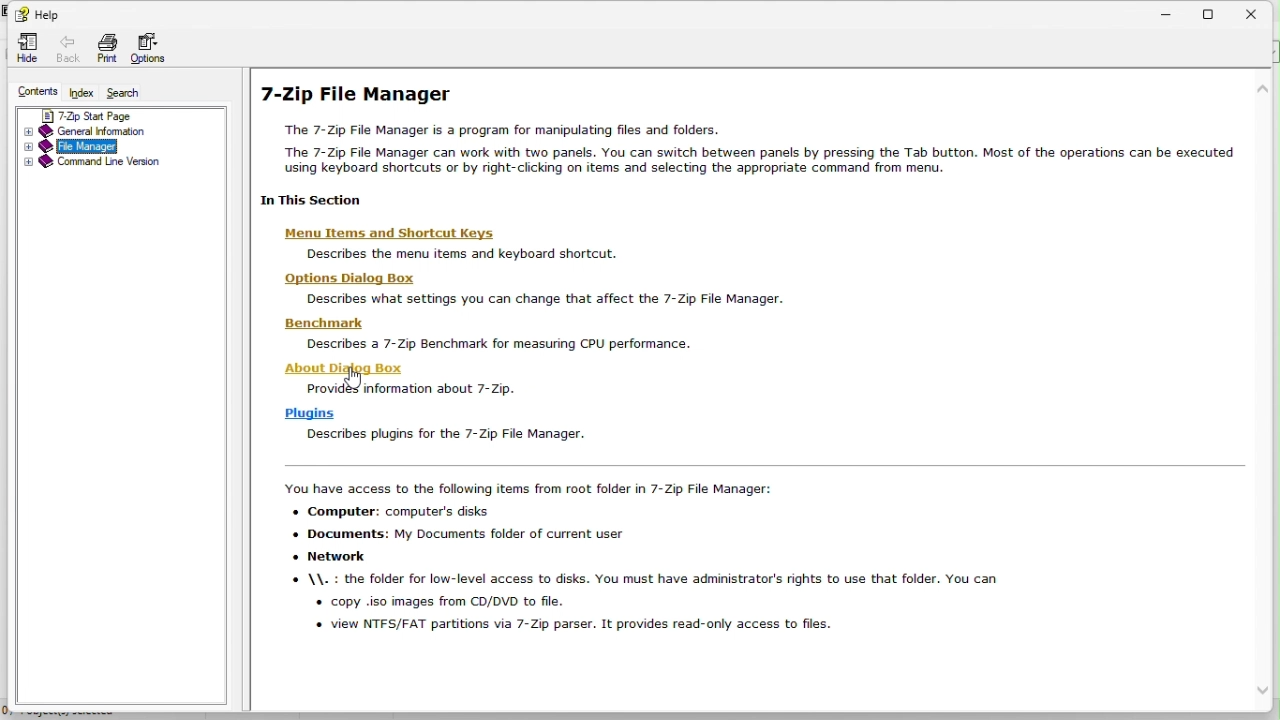  Describe the element at coordinates (131, 91) in the screenshot. I see `Search` at that location.